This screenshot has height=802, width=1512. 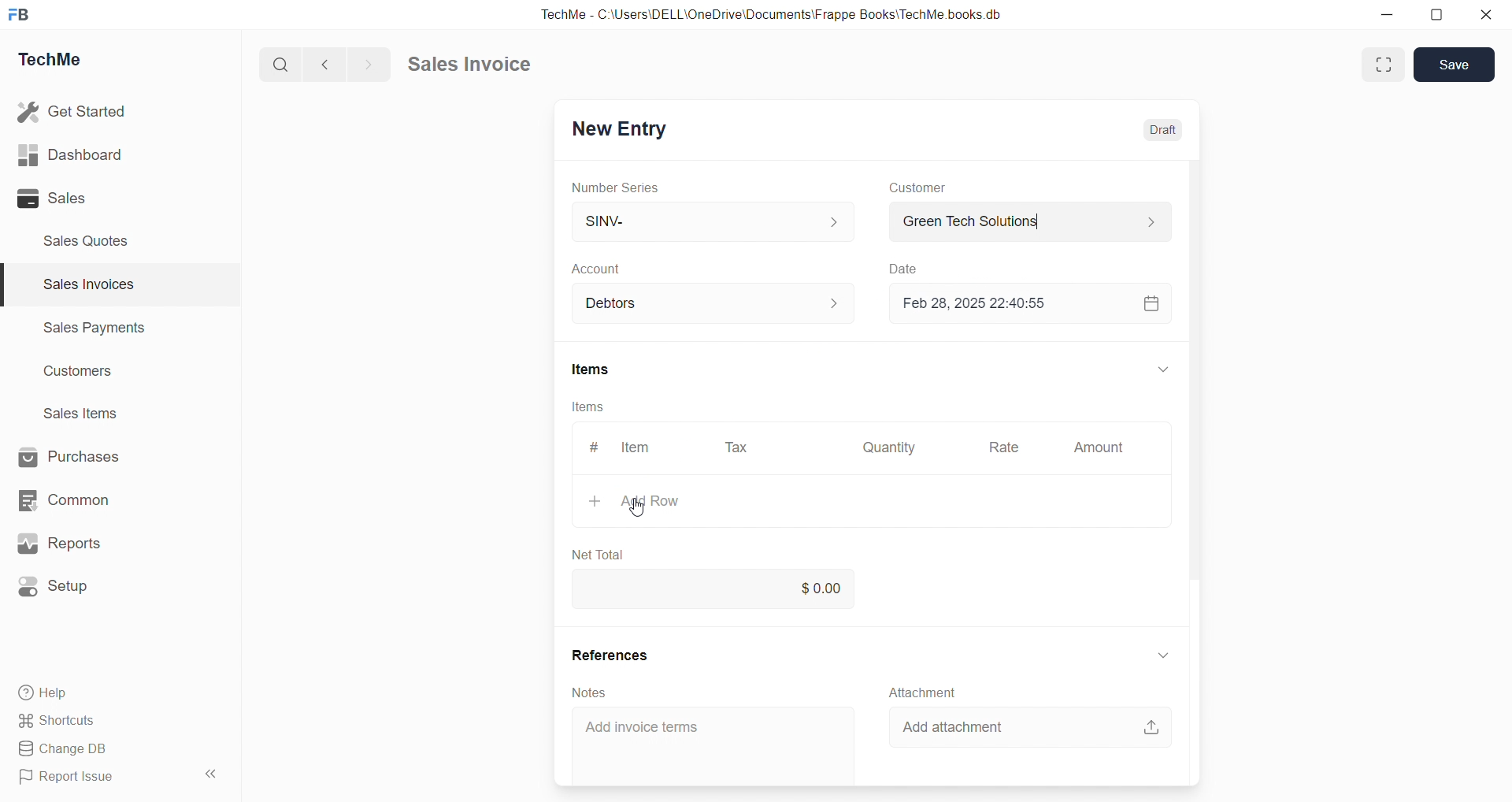 What do you see at coordinates (69, 456) in the screenshot?
I see `Purchases` at bounding box center [69, 456].